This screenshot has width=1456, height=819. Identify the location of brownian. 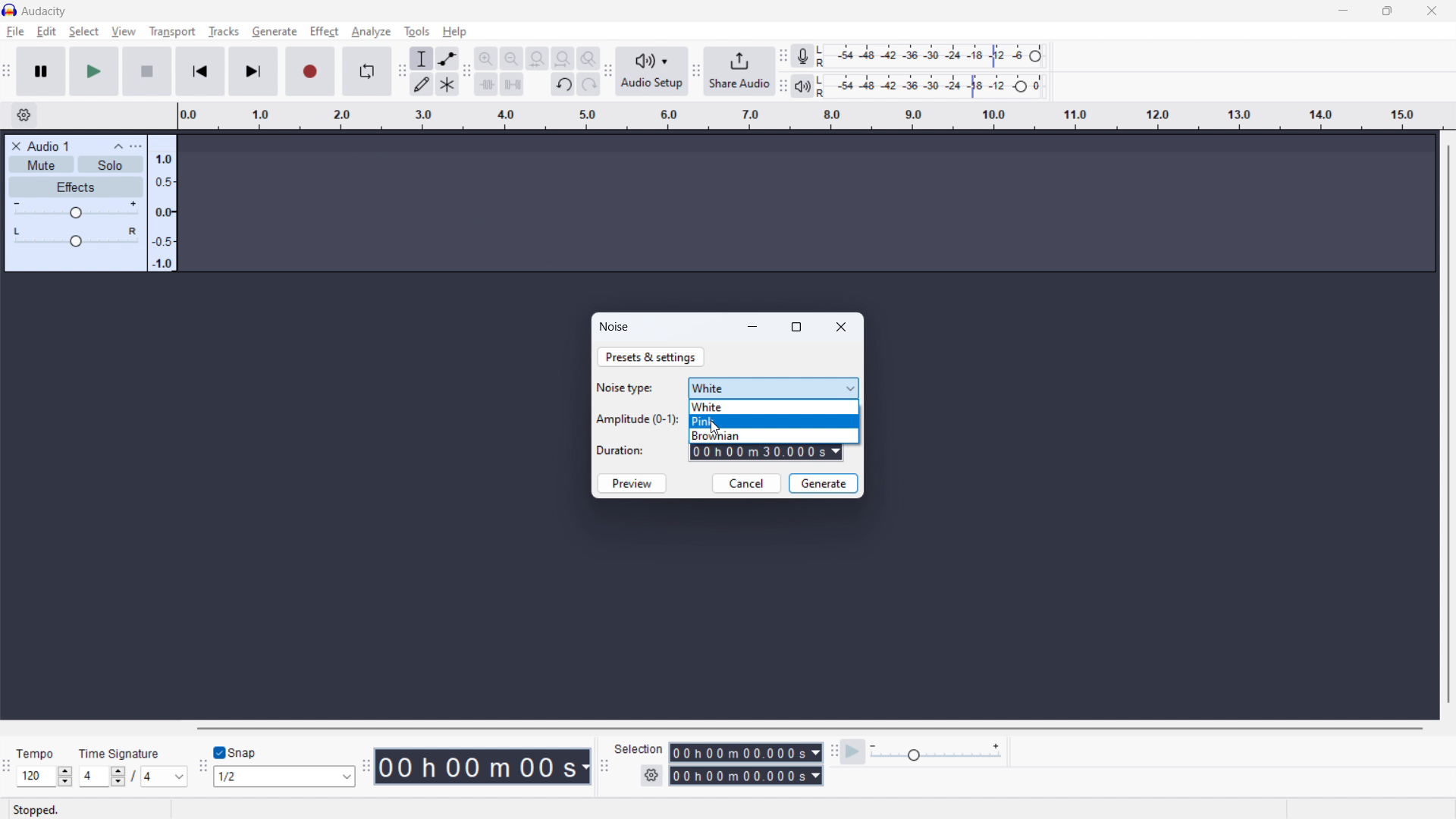
(773, 436).